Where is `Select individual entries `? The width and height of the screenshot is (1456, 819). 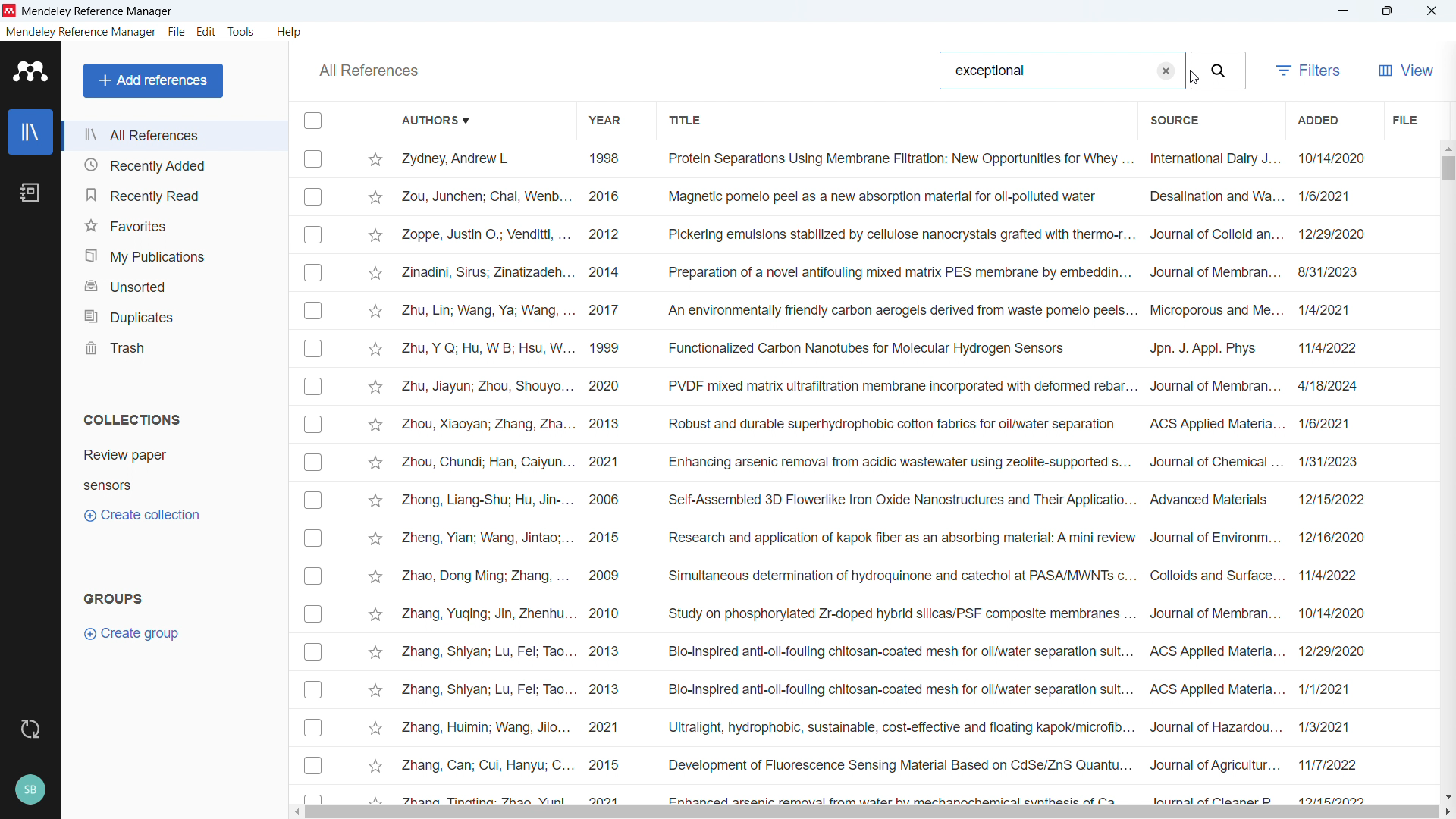
Select individual entries  is located at coordinates (312, 475).